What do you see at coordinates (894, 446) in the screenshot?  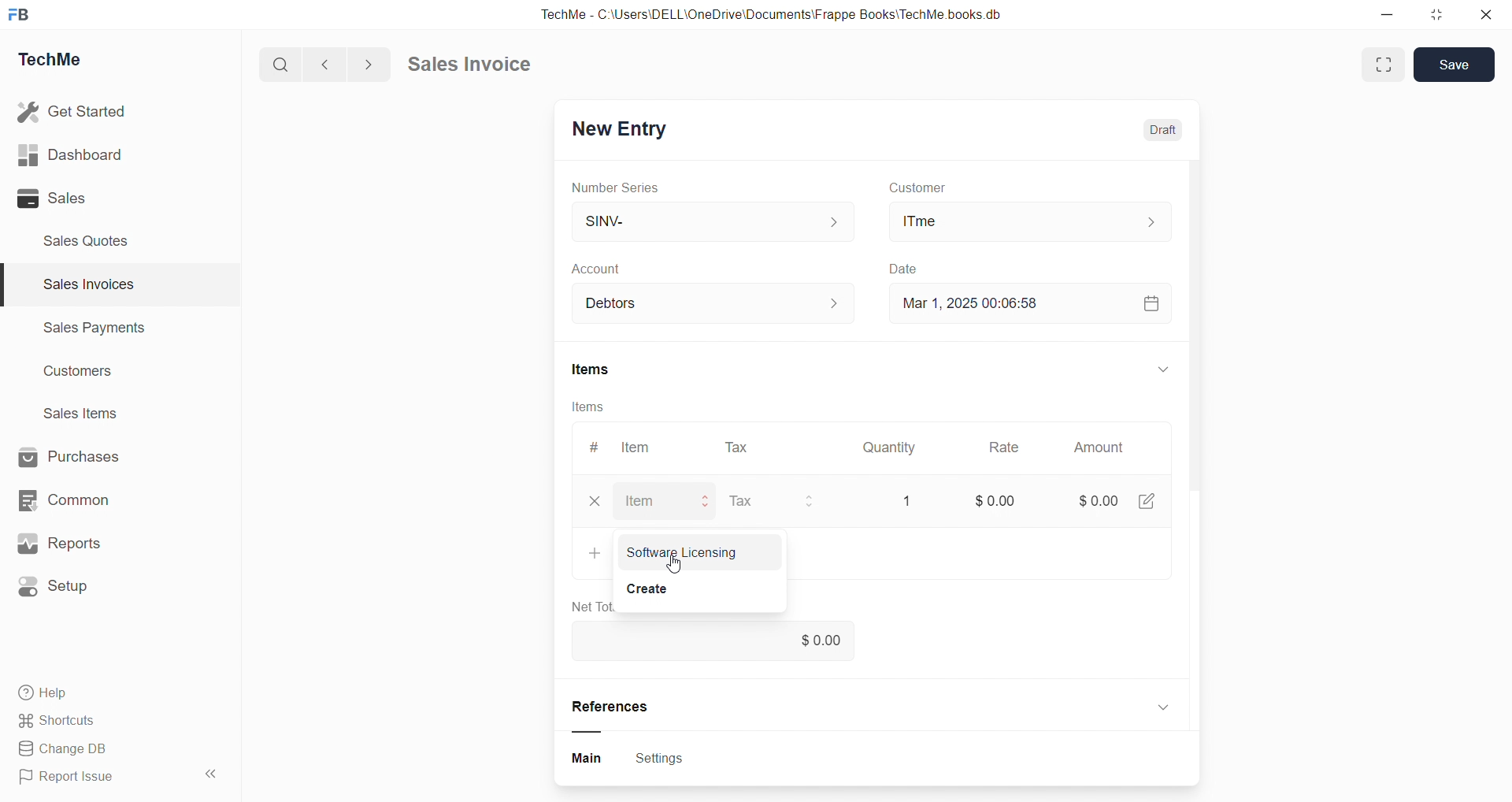 I see `Quantity` at bounding box center [894, 446].